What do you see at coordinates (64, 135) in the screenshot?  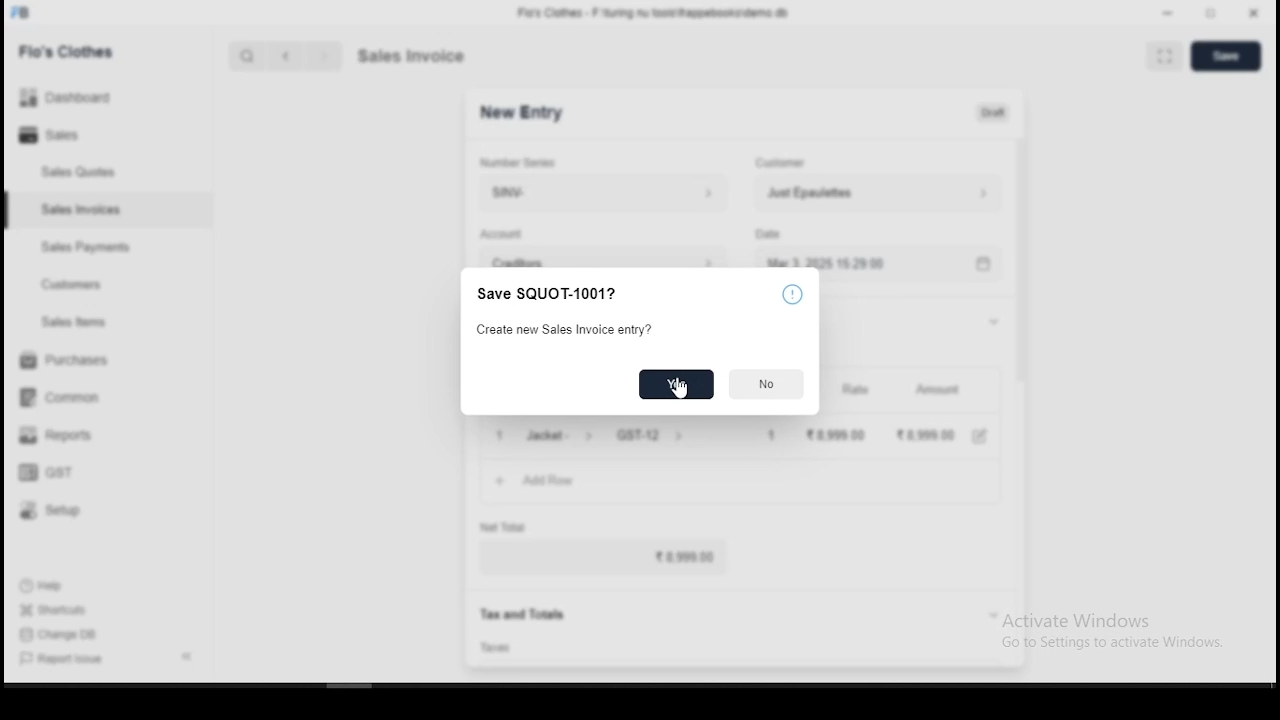 I see `sales` at bounding box center [64, 135].